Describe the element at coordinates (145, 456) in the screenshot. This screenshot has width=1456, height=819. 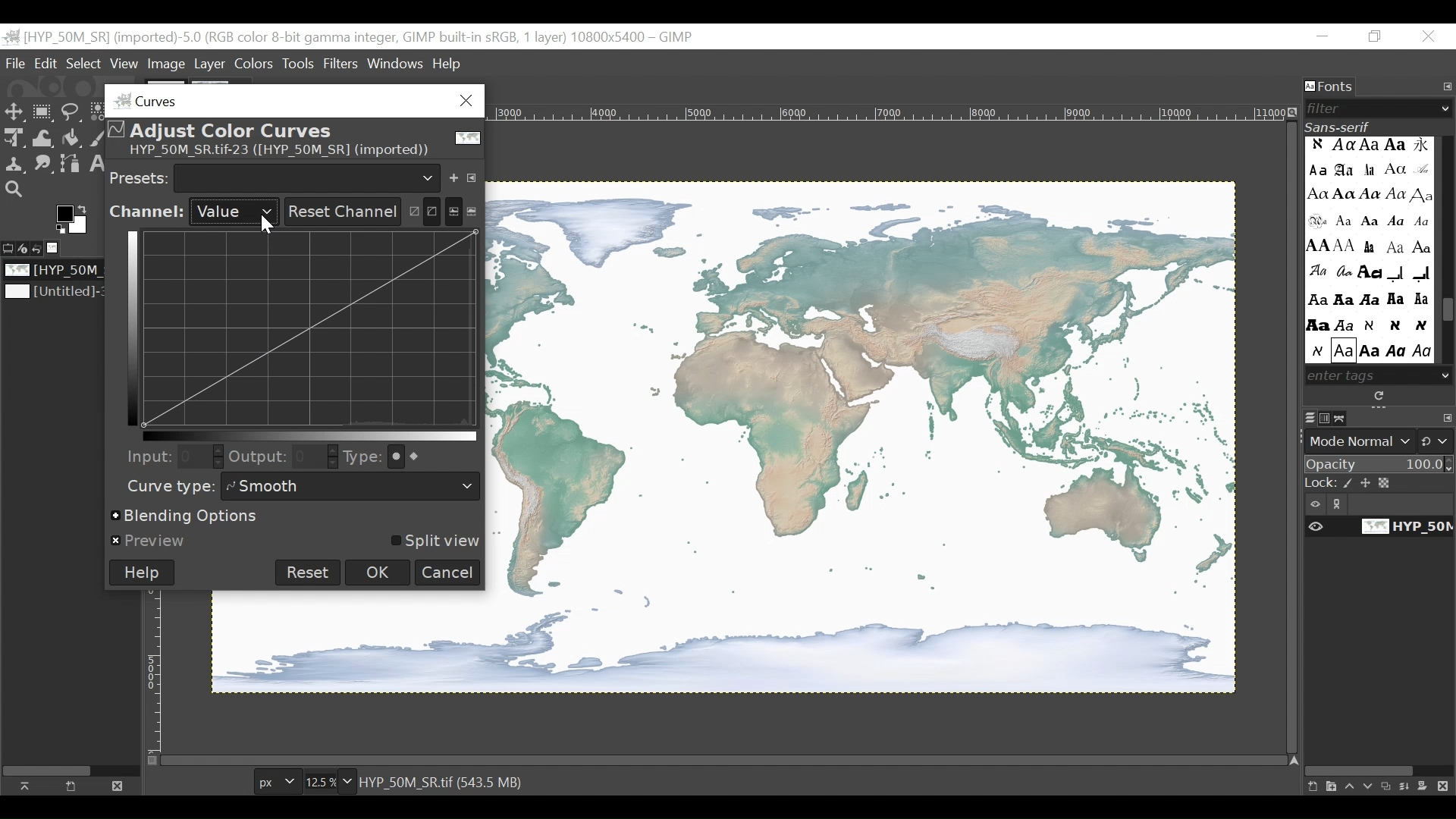
I see `Input` at that location.